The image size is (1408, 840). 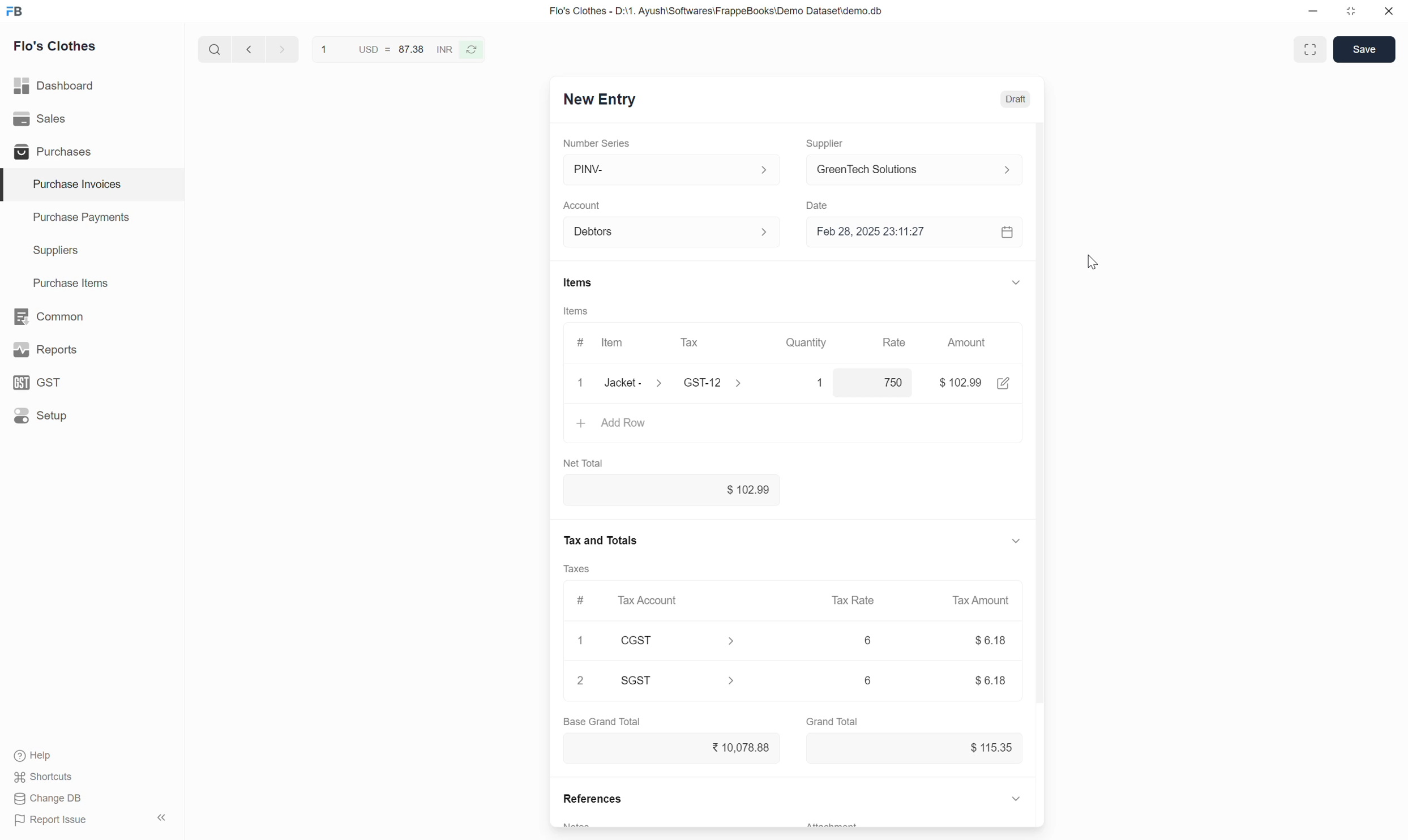 What do you see at coordinates (810, 383) in the screenshot?
I see `1` at bounding box center [810, 383].